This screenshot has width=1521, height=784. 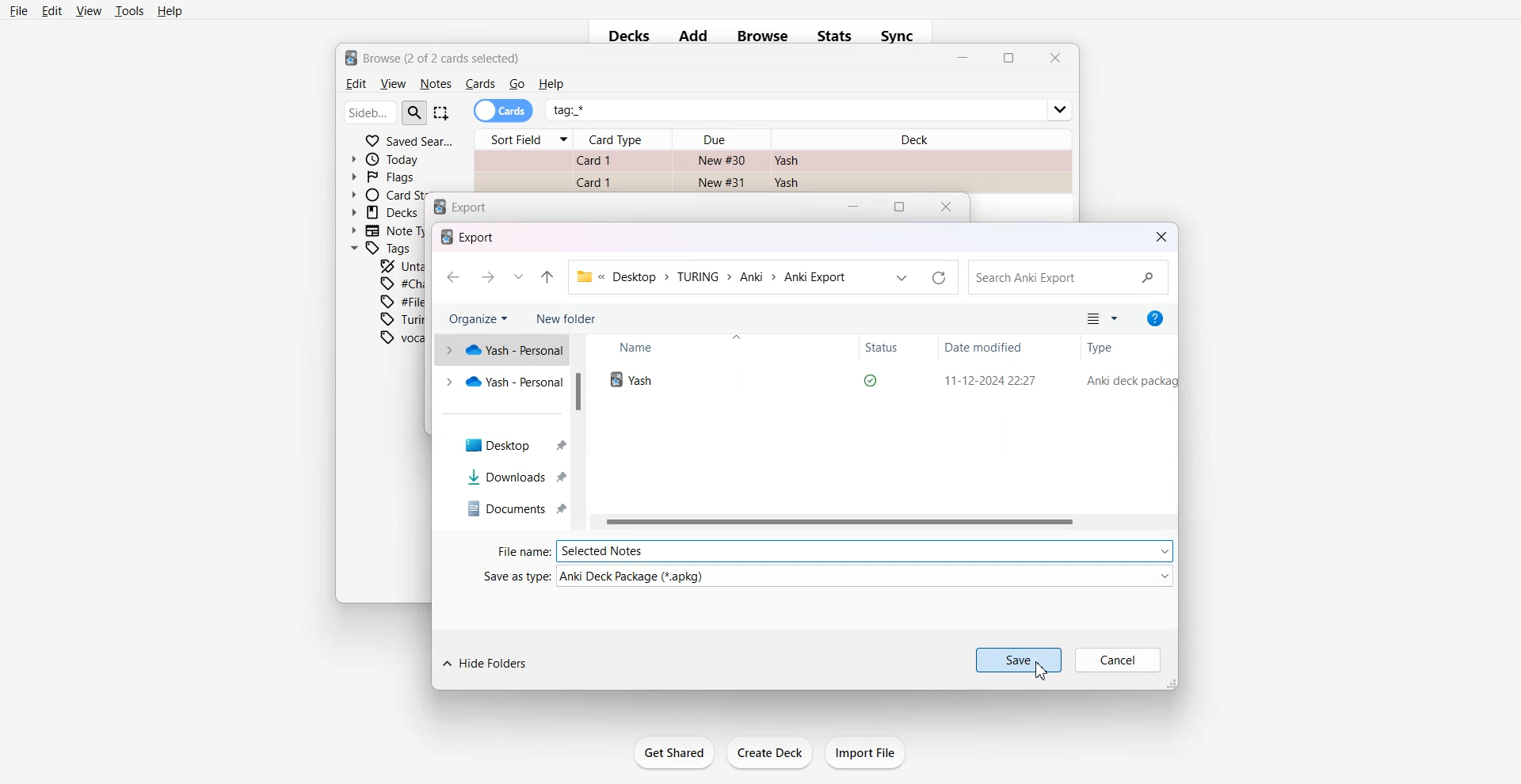 What do you see at coordinates (867, 752) in the screenshot?
I see `Import File` at bounding box center [867, 752].